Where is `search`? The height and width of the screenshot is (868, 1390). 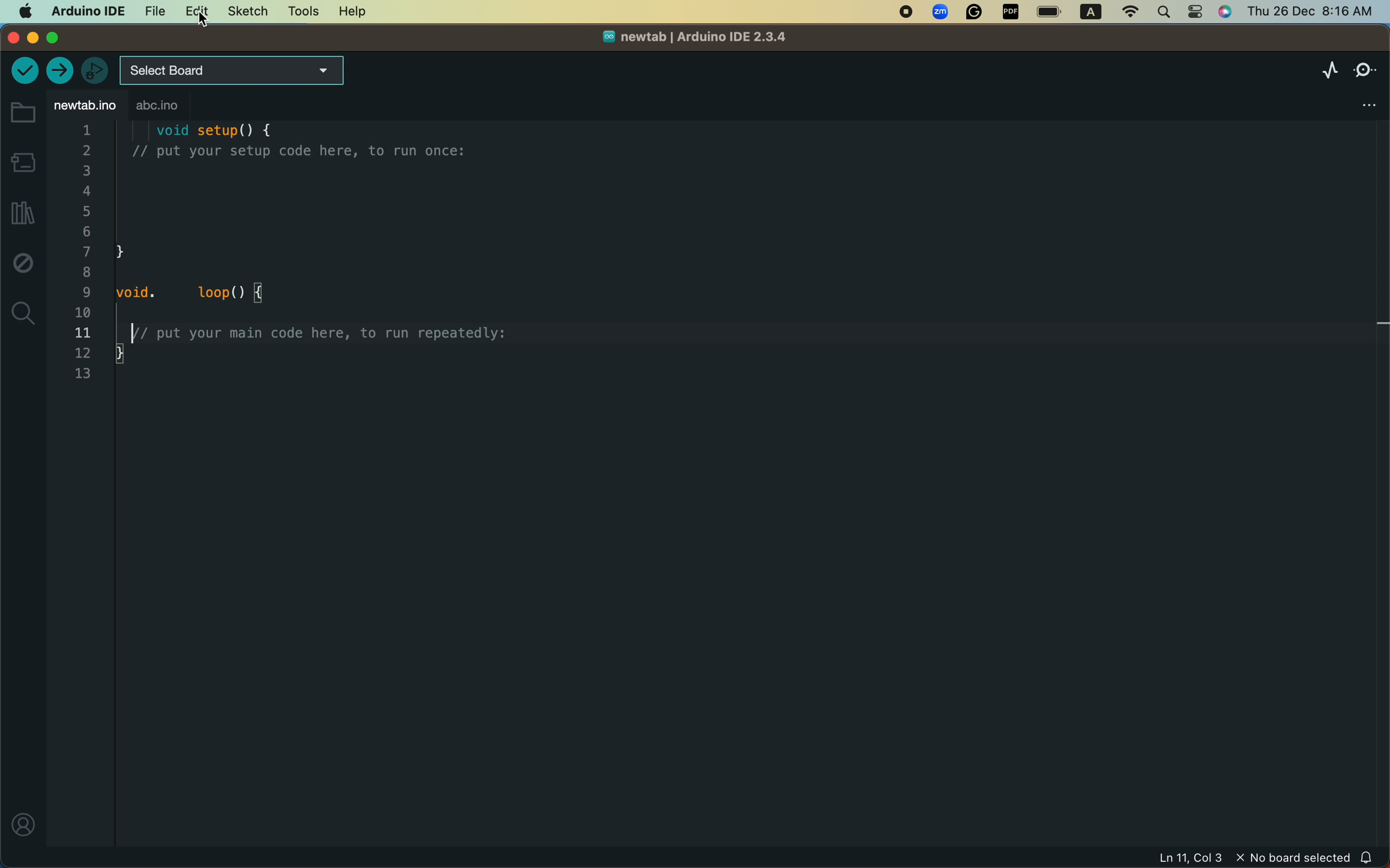
search is located at coordinates (24, 313).